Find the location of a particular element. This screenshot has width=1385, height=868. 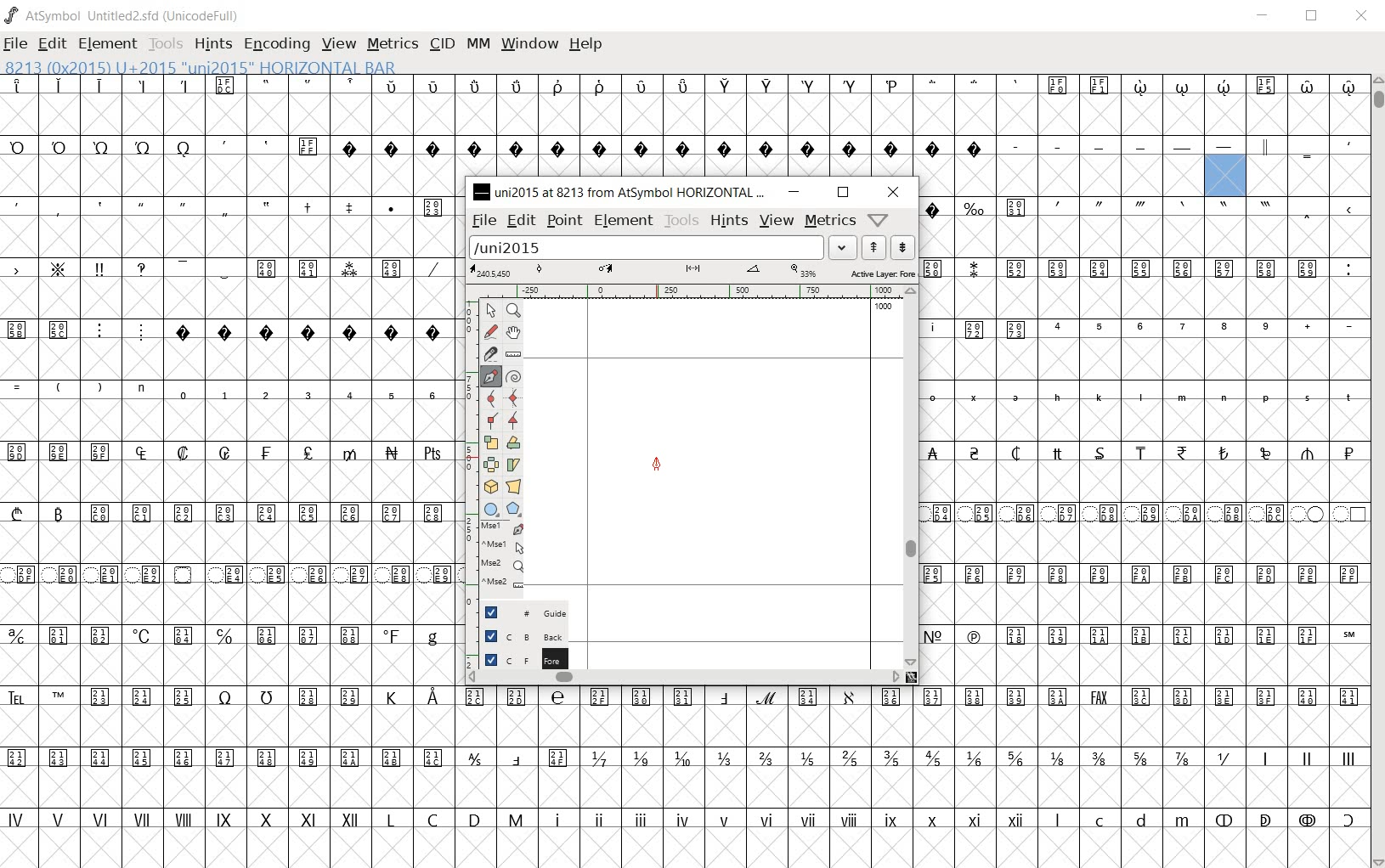

scrollbar is located at coordinates (683, 679).